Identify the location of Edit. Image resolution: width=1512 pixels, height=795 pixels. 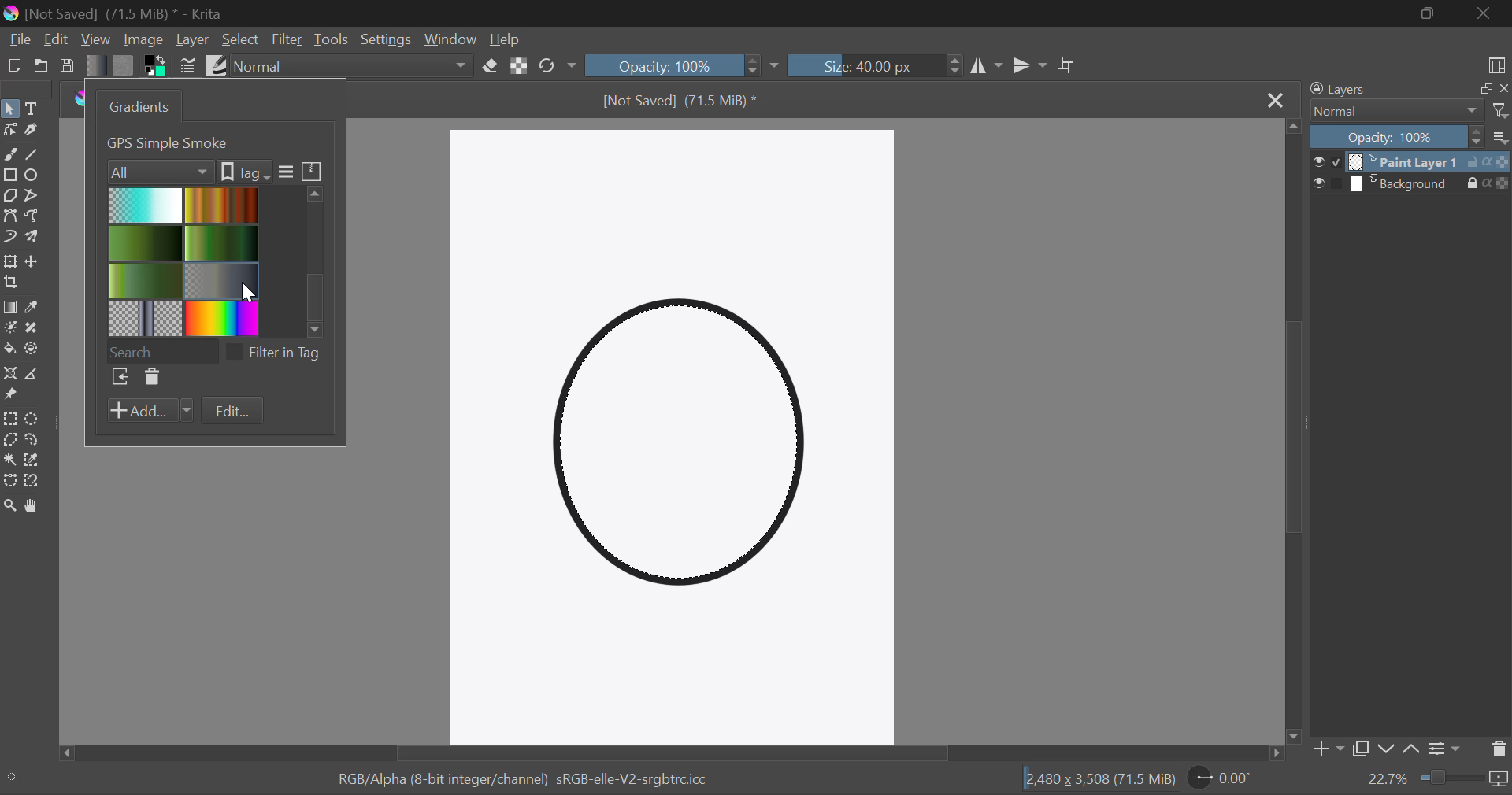
(55, 38).